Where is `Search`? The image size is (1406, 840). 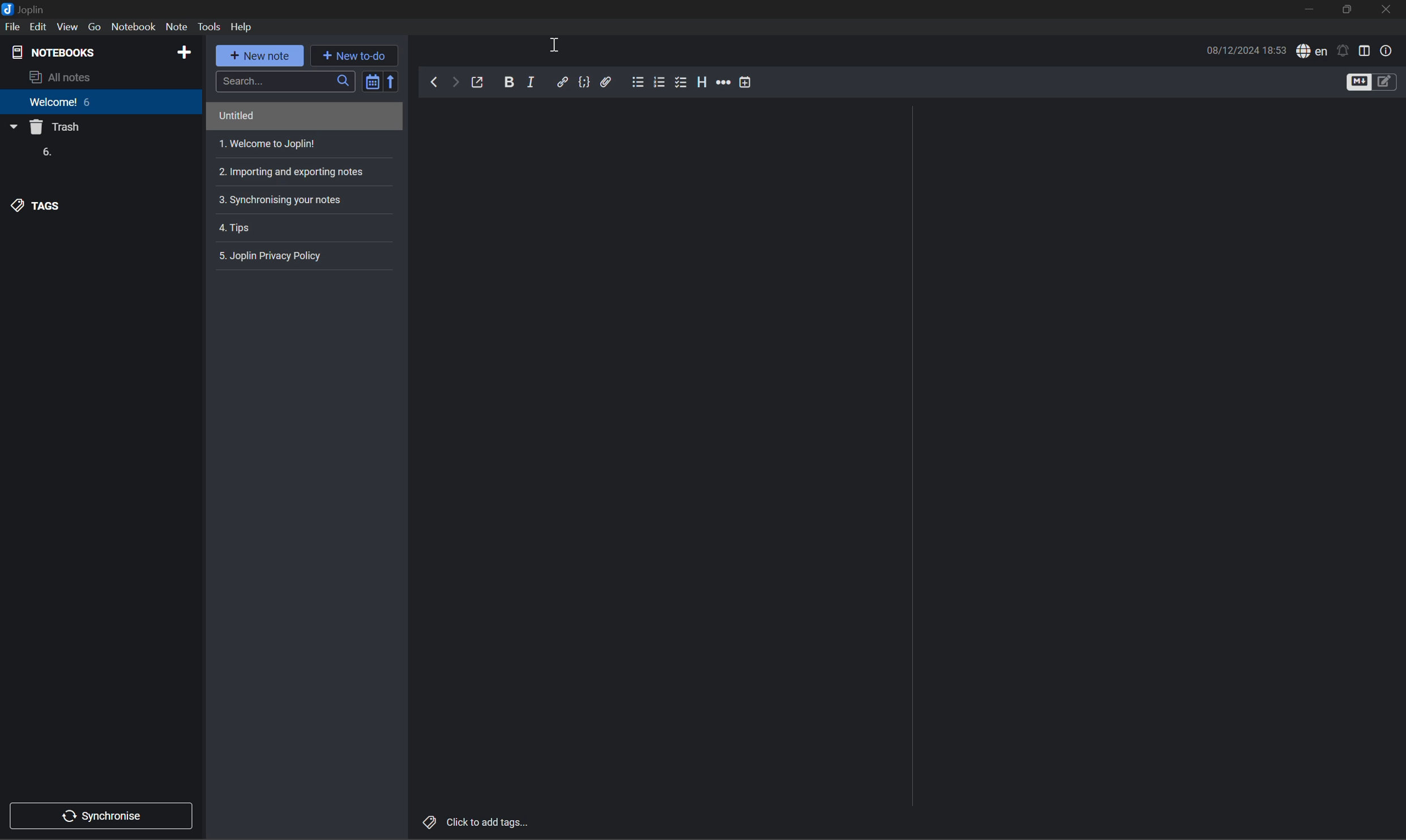
Search is located at coordinates (284, 80).